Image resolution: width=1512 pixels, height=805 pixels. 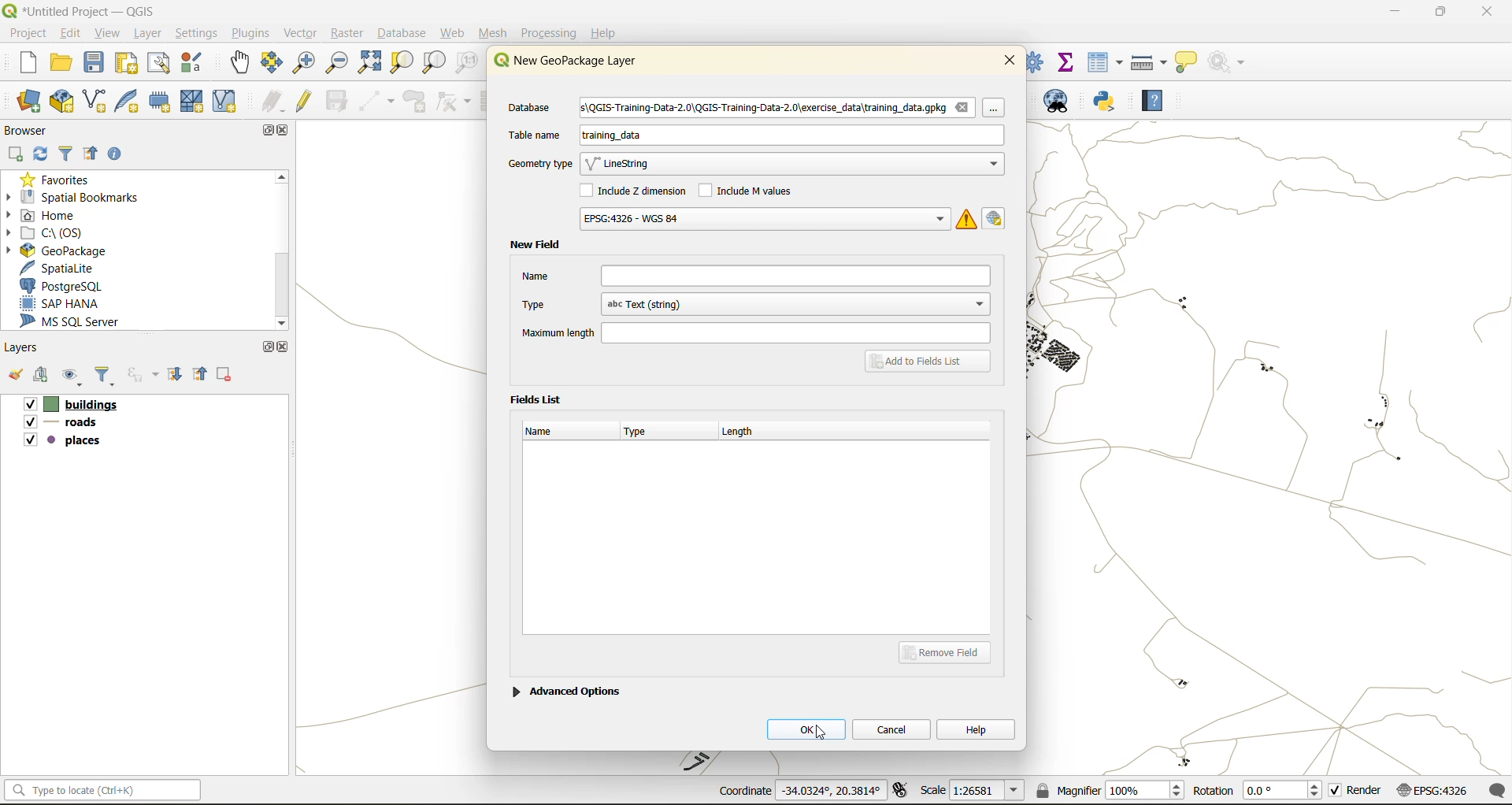 I want to click on Edit, so click(x=997, y=217).